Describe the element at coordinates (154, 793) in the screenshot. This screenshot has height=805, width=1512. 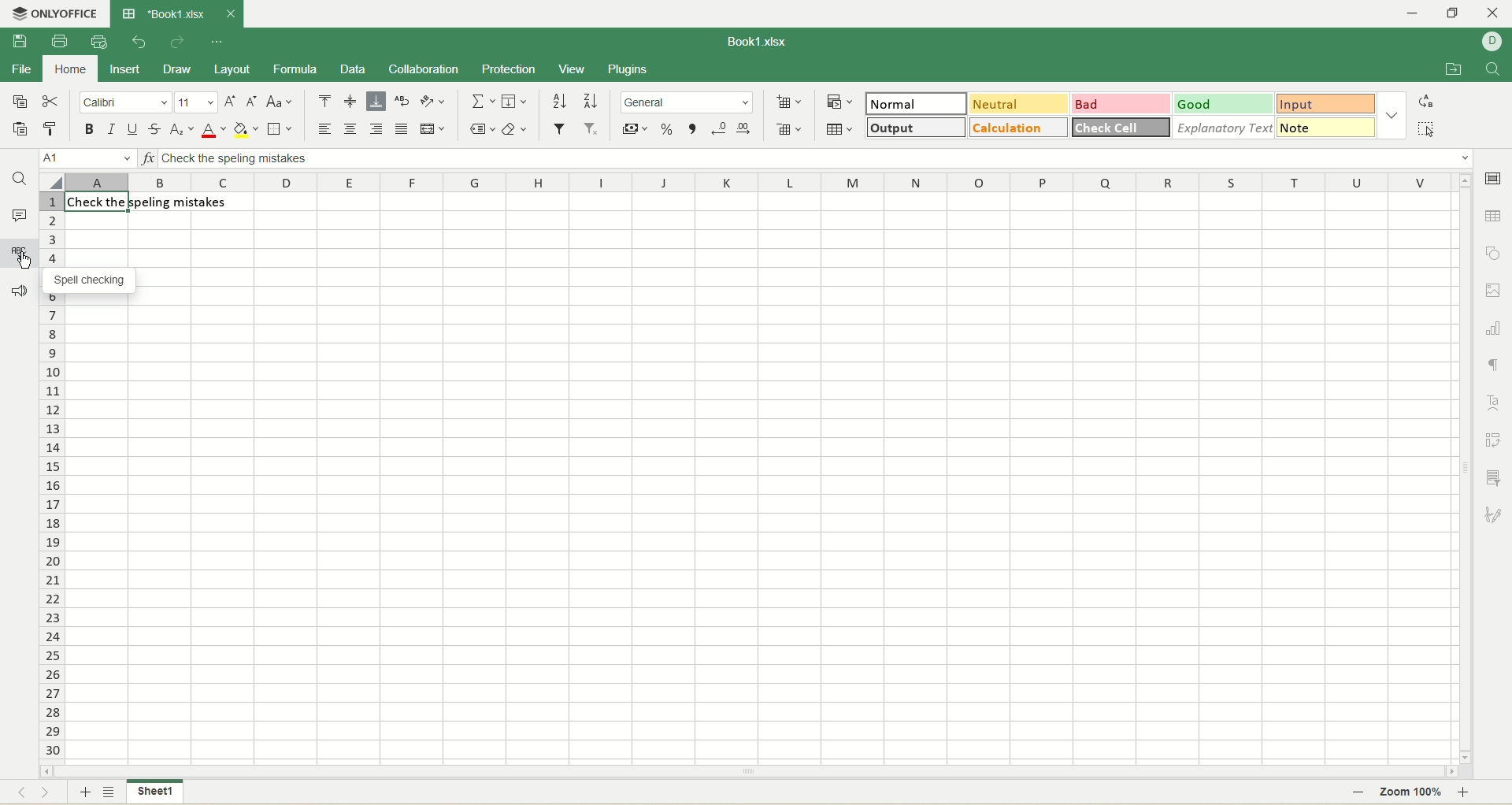
I see `sheet name` at that location.